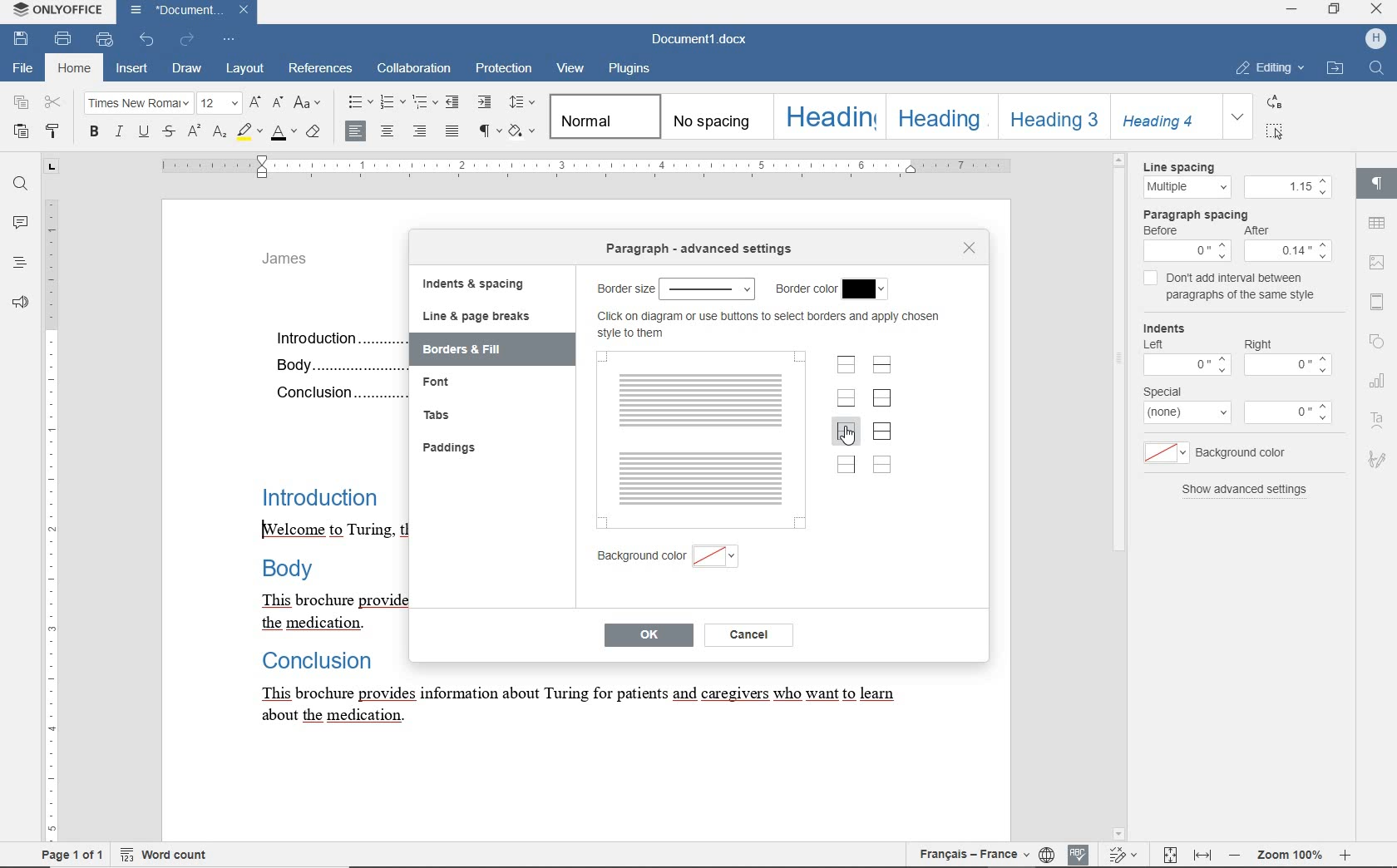  Describe the element at coordinates (1380, 341) in the screenshot. I see `shape` at that location.